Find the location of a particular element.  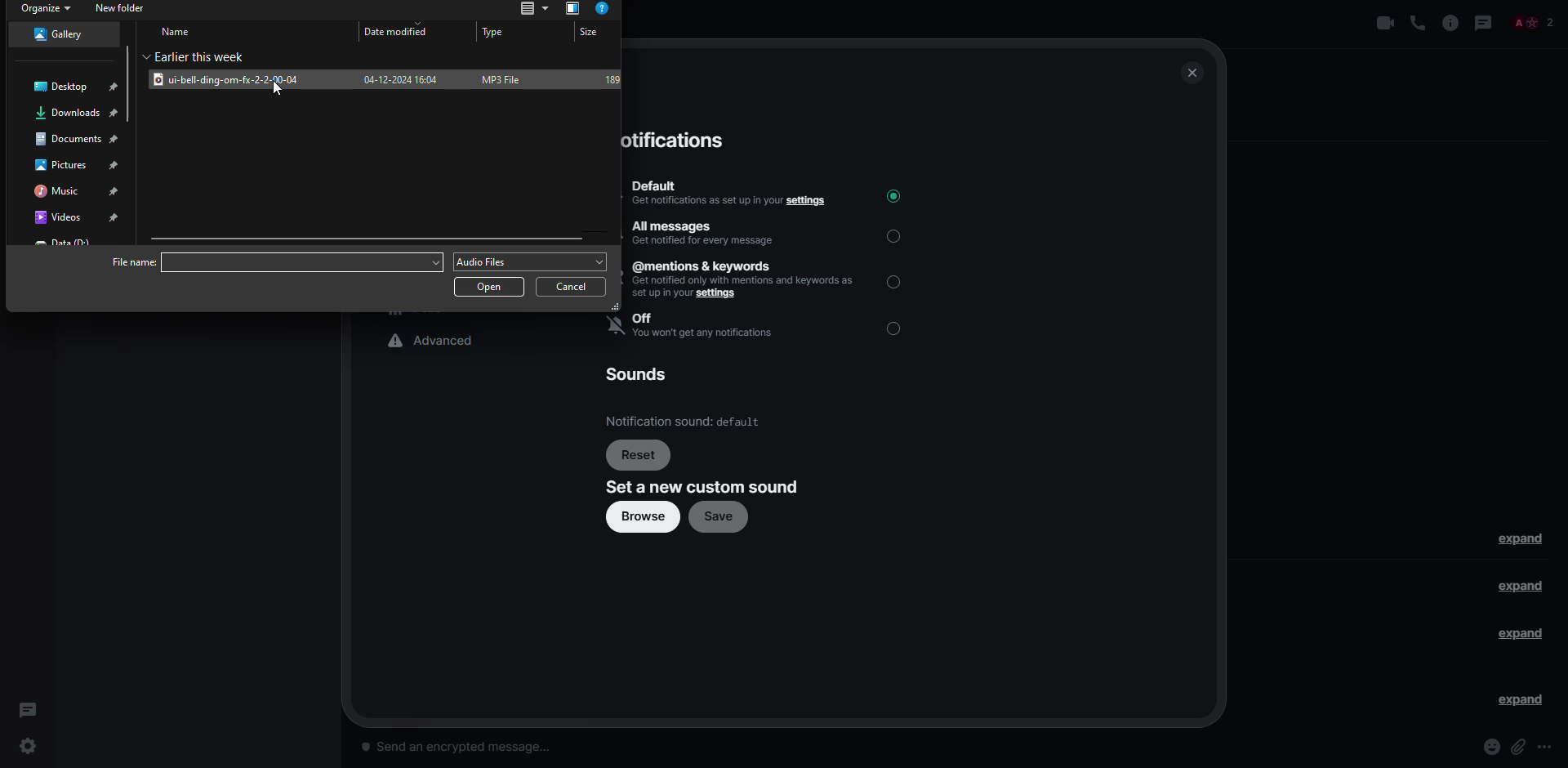

notifications is located at coordinates (675, 141).